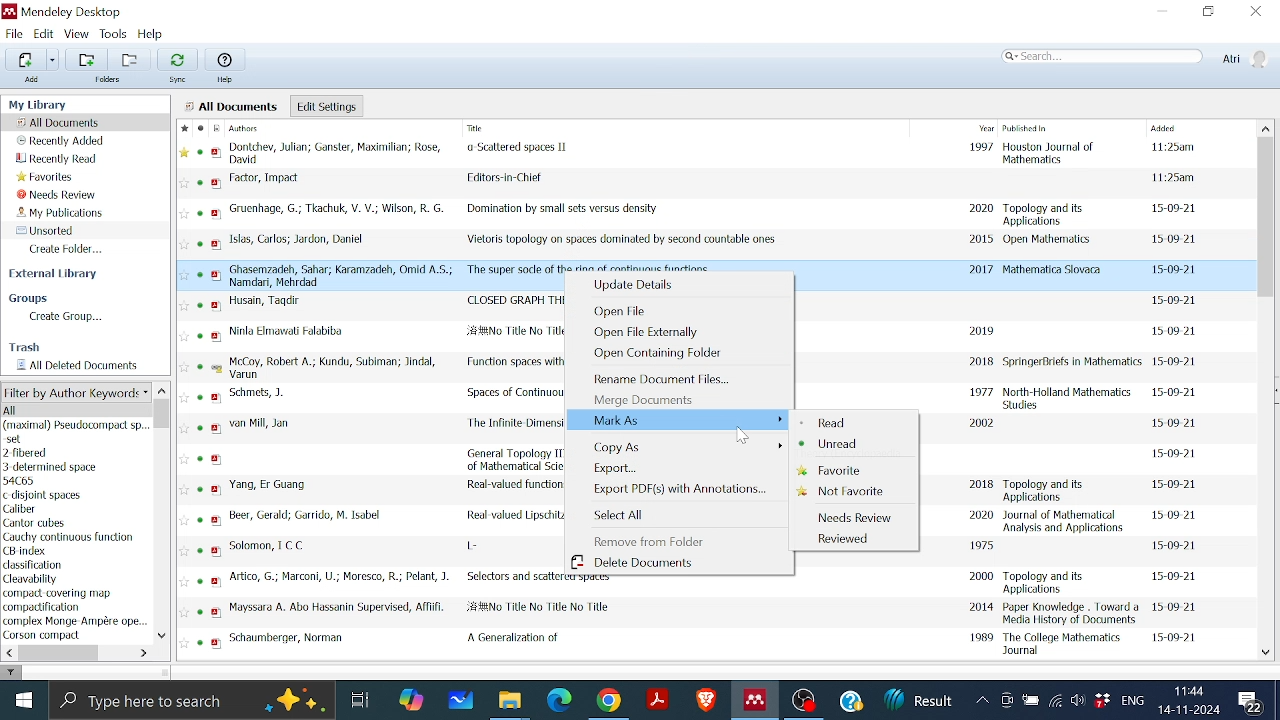 The height and width of the screenshot is (720, 1280). What do you see at coordinates (680, 446) in the screenshot?
I see `Copy as` at bounding box center [680, 446].